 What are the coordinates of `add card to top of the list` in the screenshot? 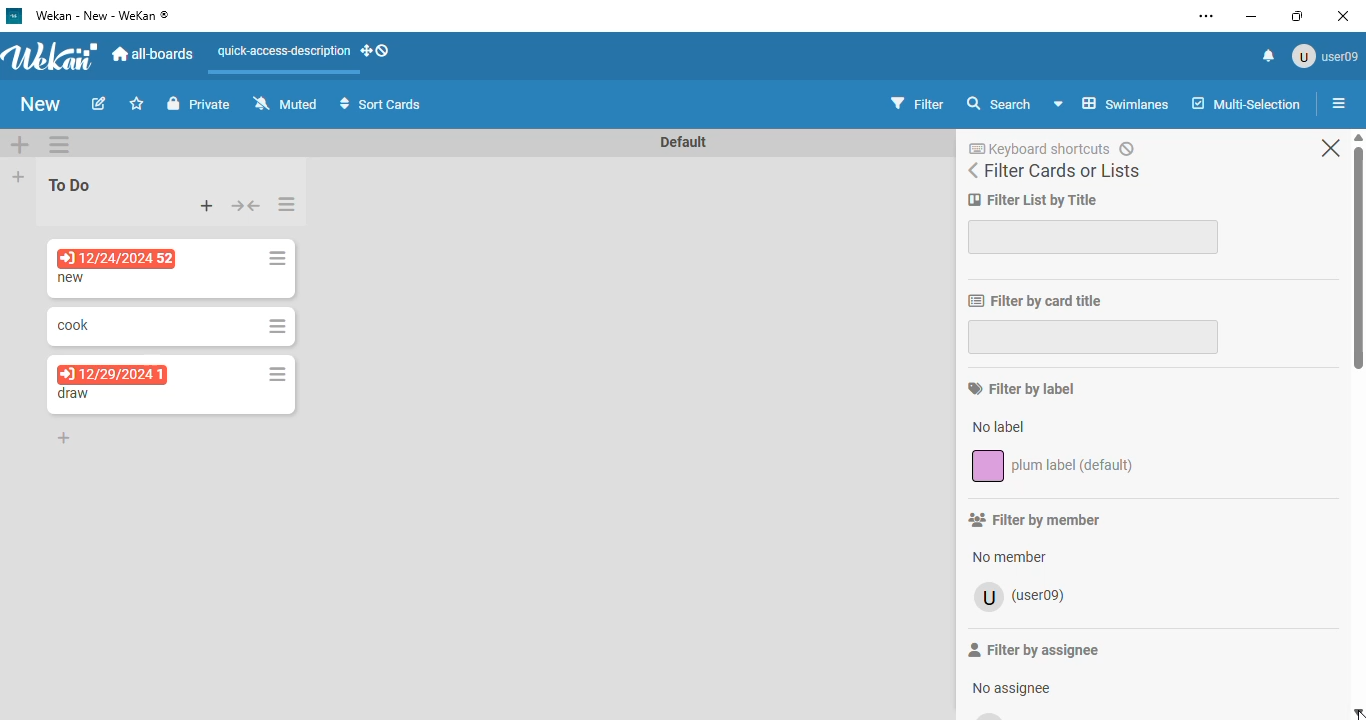 It's located at (208, 206).